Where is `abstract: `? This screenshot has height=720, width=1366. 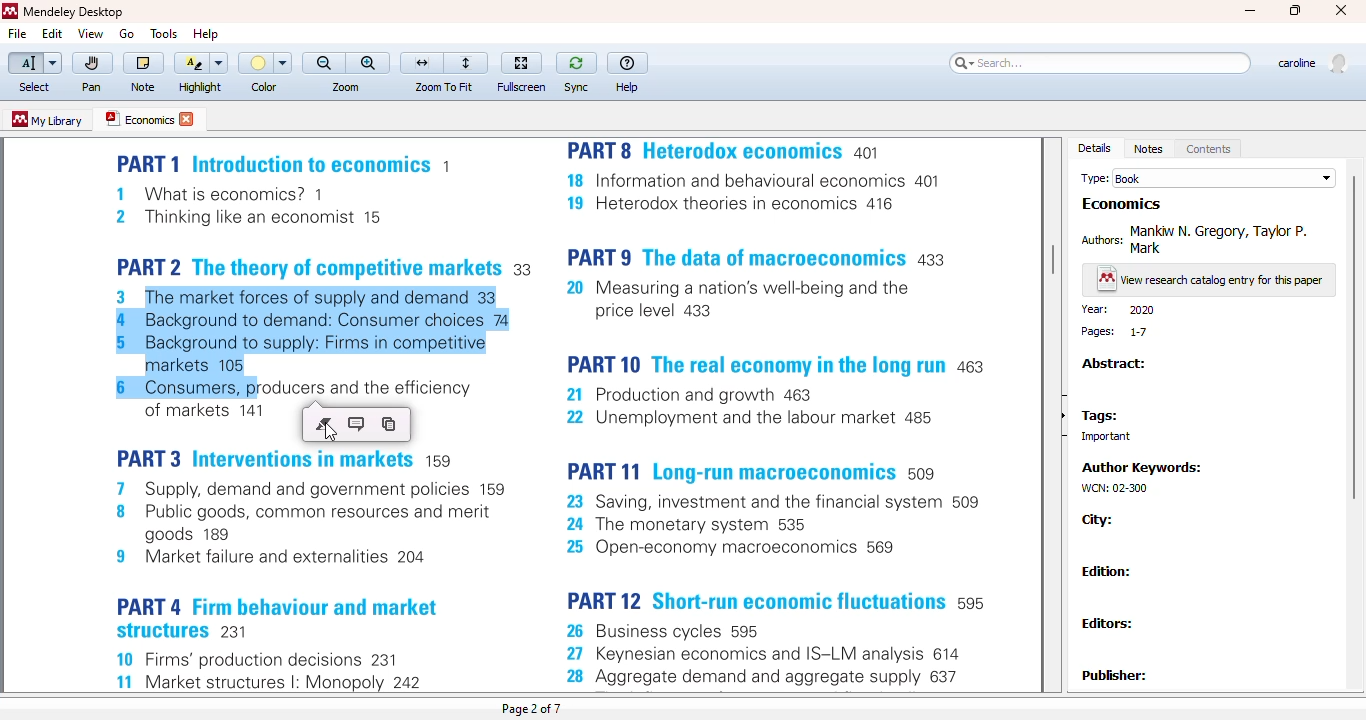
abstract:  is located at coordinates (1113, 364).